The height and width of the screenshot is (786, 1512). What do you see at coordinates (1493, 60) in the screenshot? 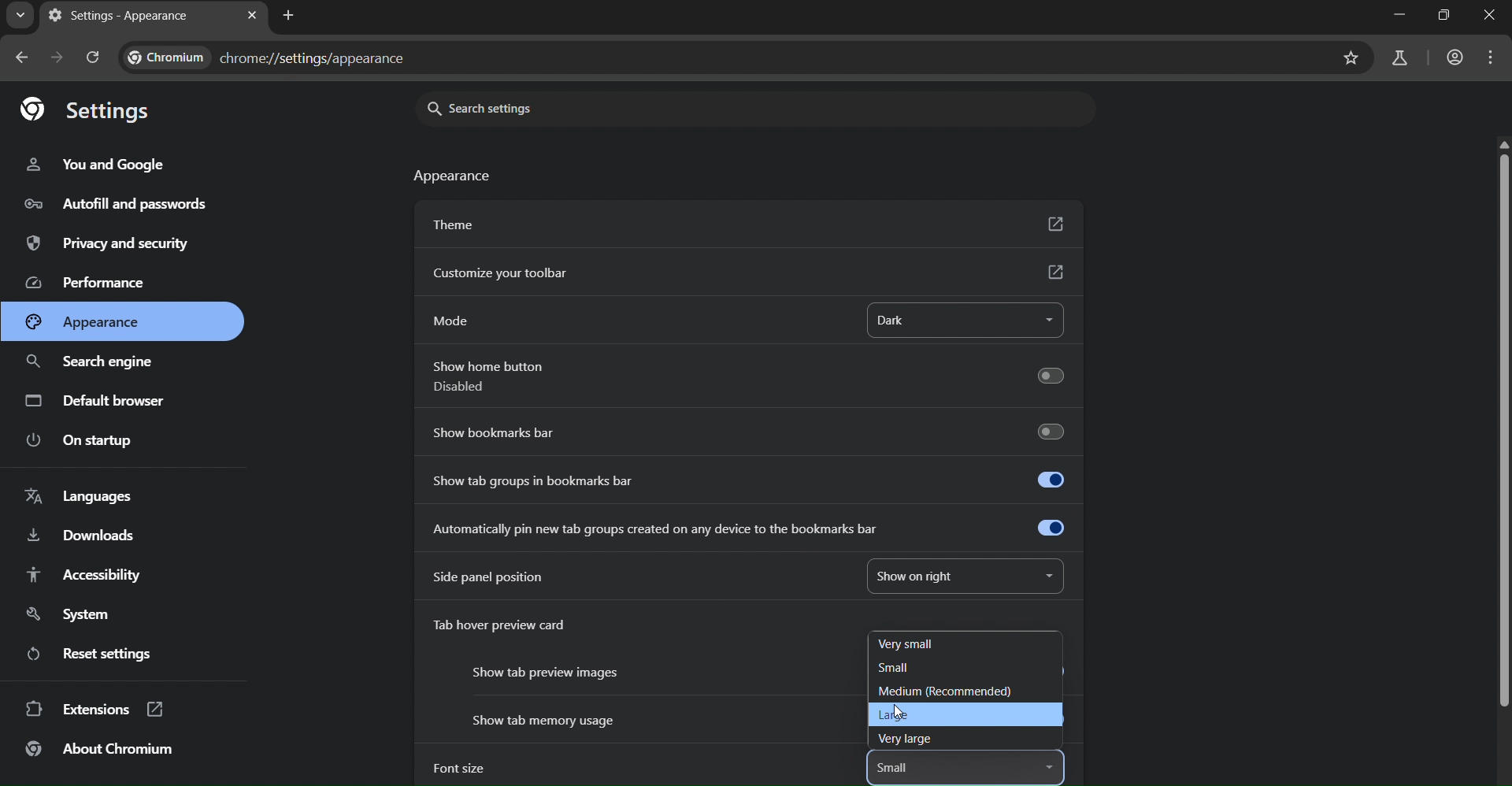
I see `menu` at bounding box center [1493, 60].